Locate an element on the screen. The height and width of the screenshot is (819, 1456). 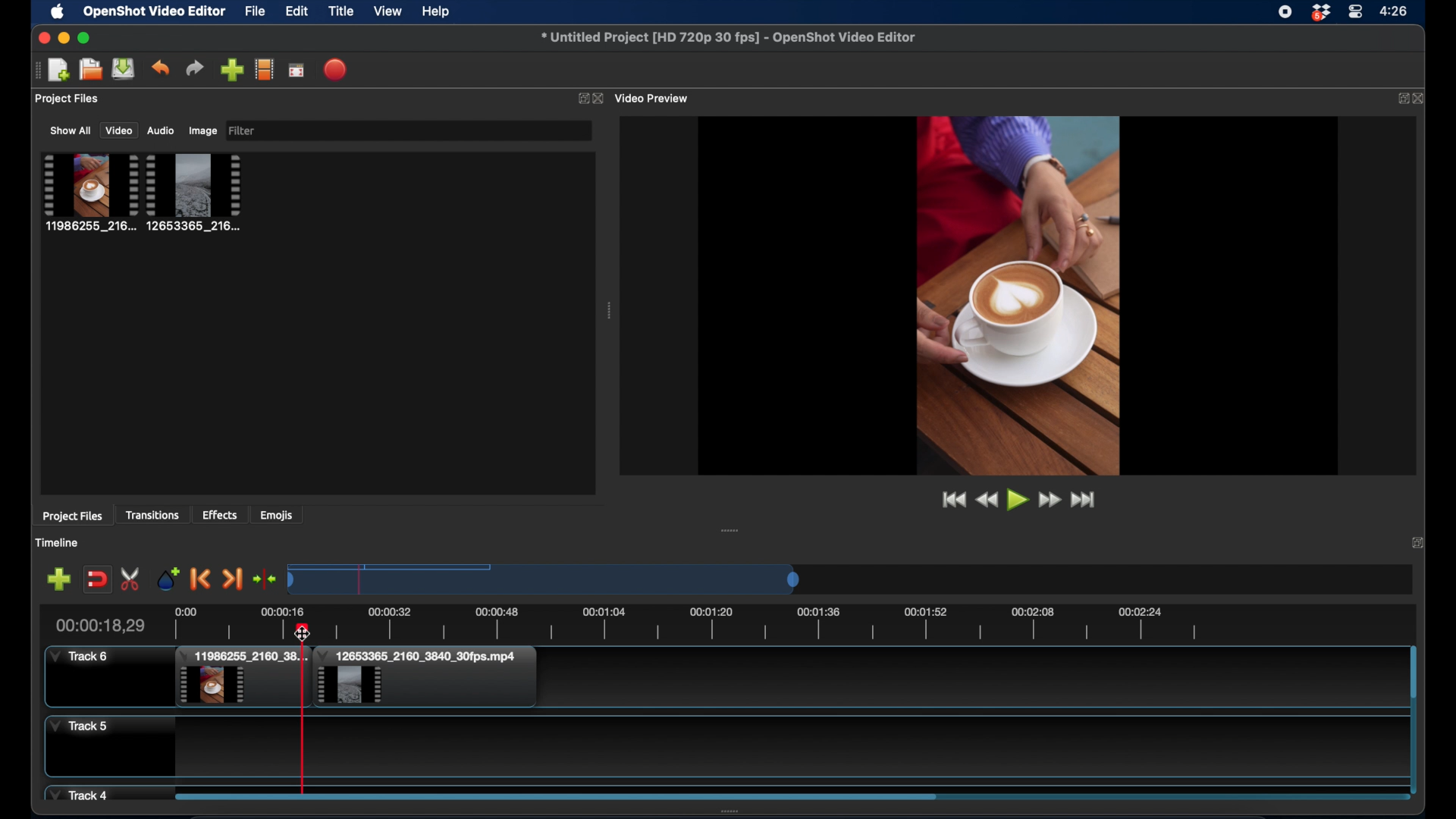
timeline is located at coordinates (58, 542).